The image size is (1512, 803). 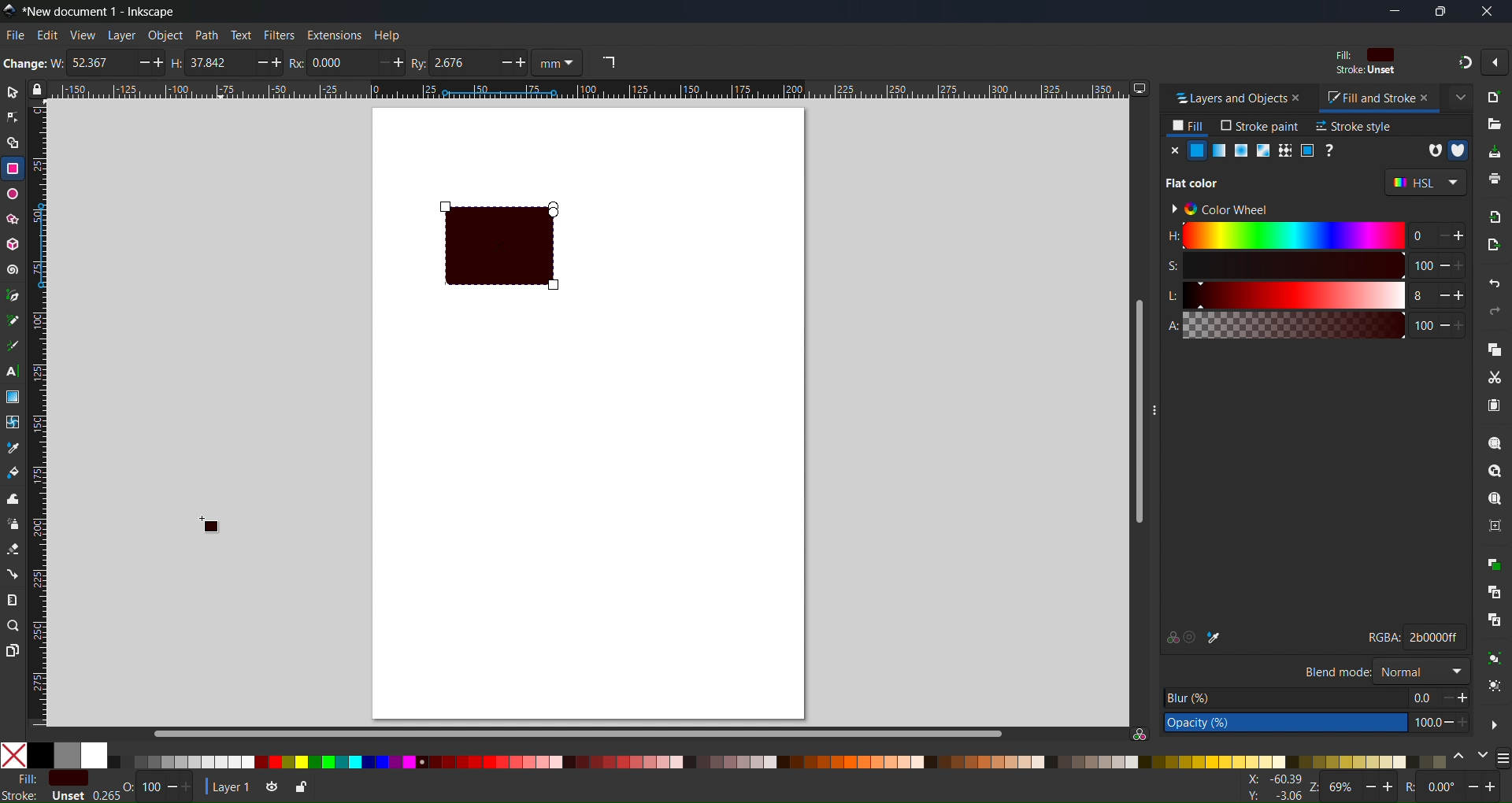 I want to click on Zoom out, so click(x=1371, y=787).